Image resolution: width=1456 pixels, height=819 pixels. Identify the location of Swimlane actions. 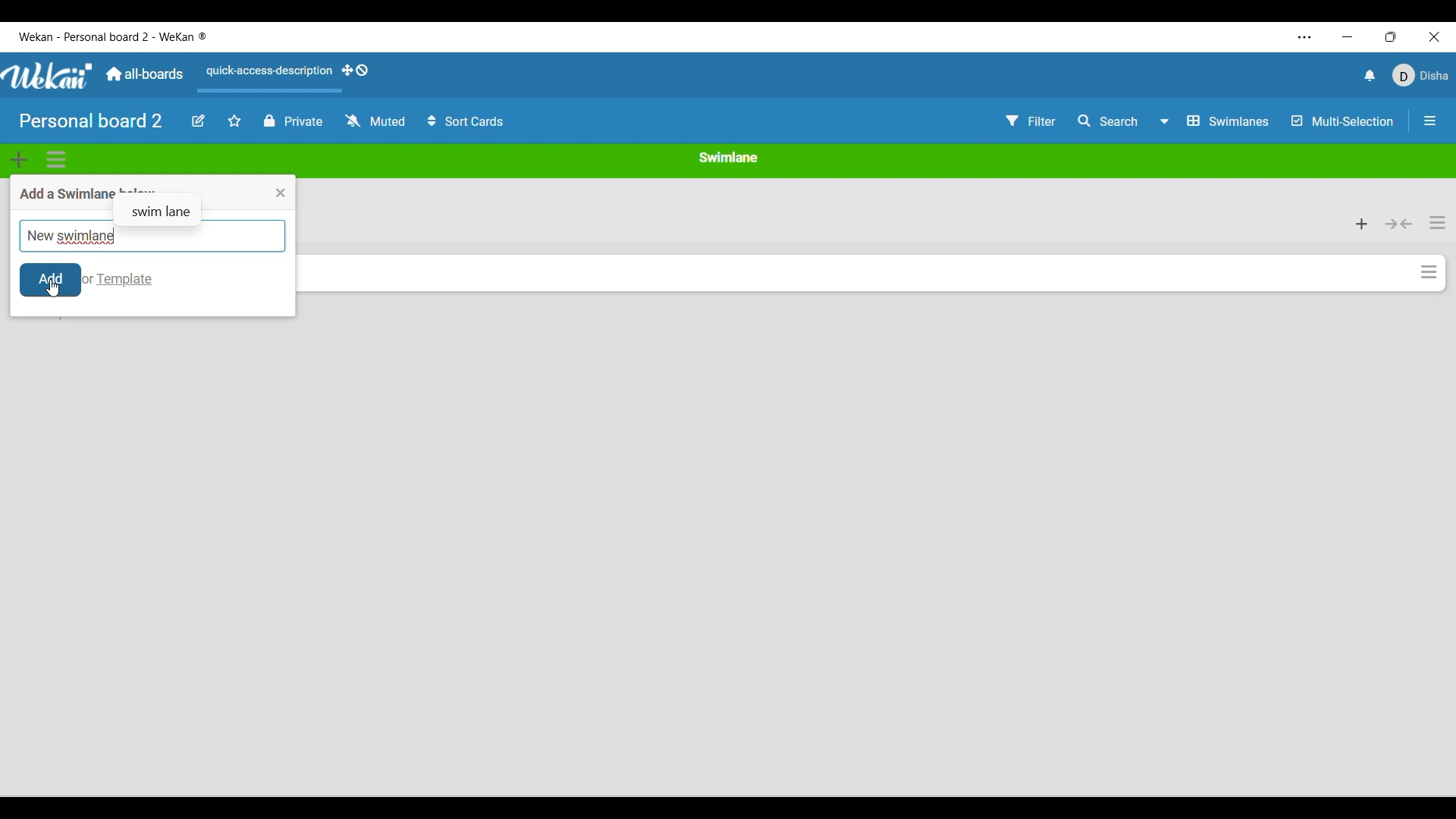
(56, 160).